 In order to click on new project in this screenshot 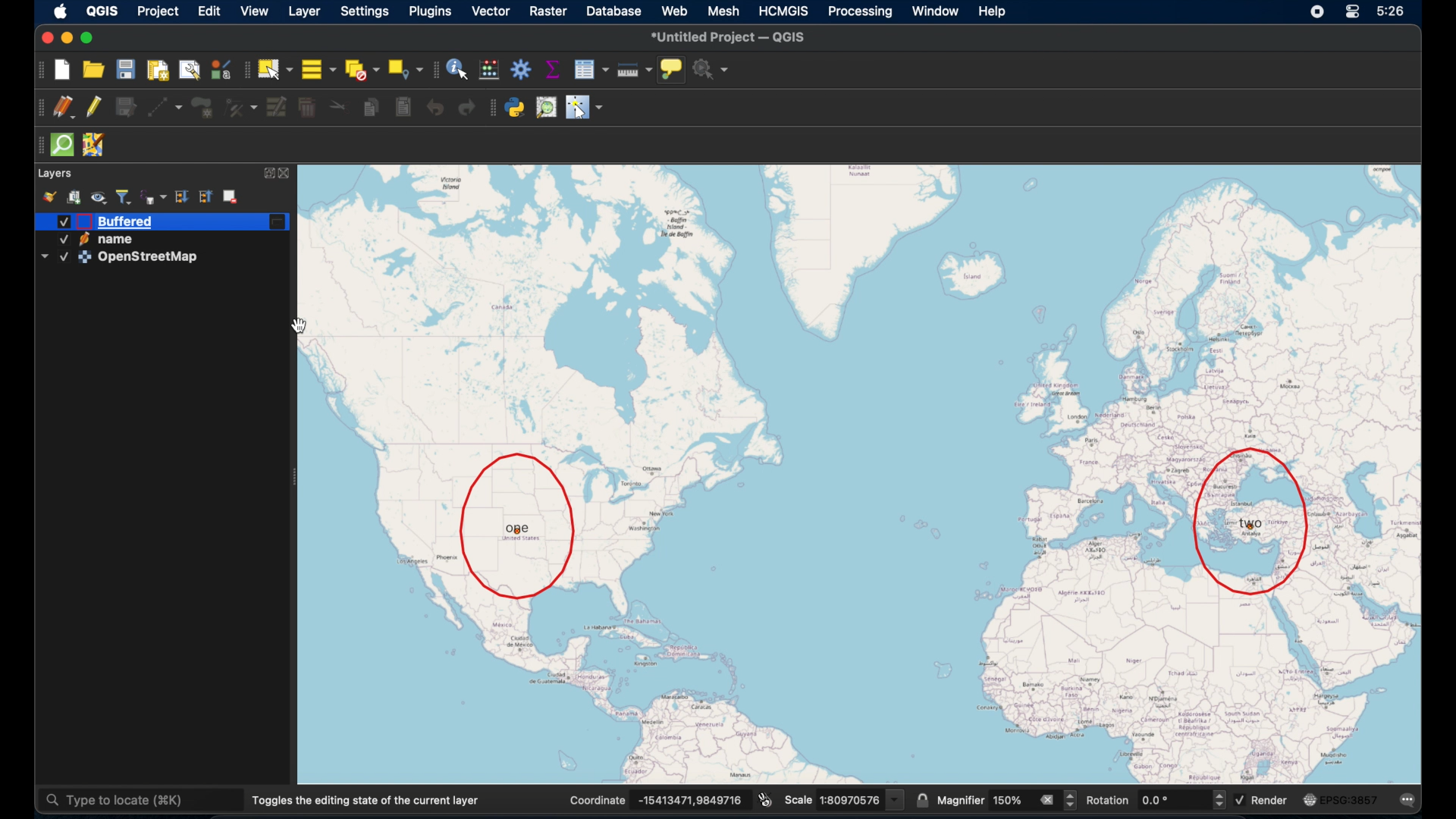, I will do `click(61, 69)`.